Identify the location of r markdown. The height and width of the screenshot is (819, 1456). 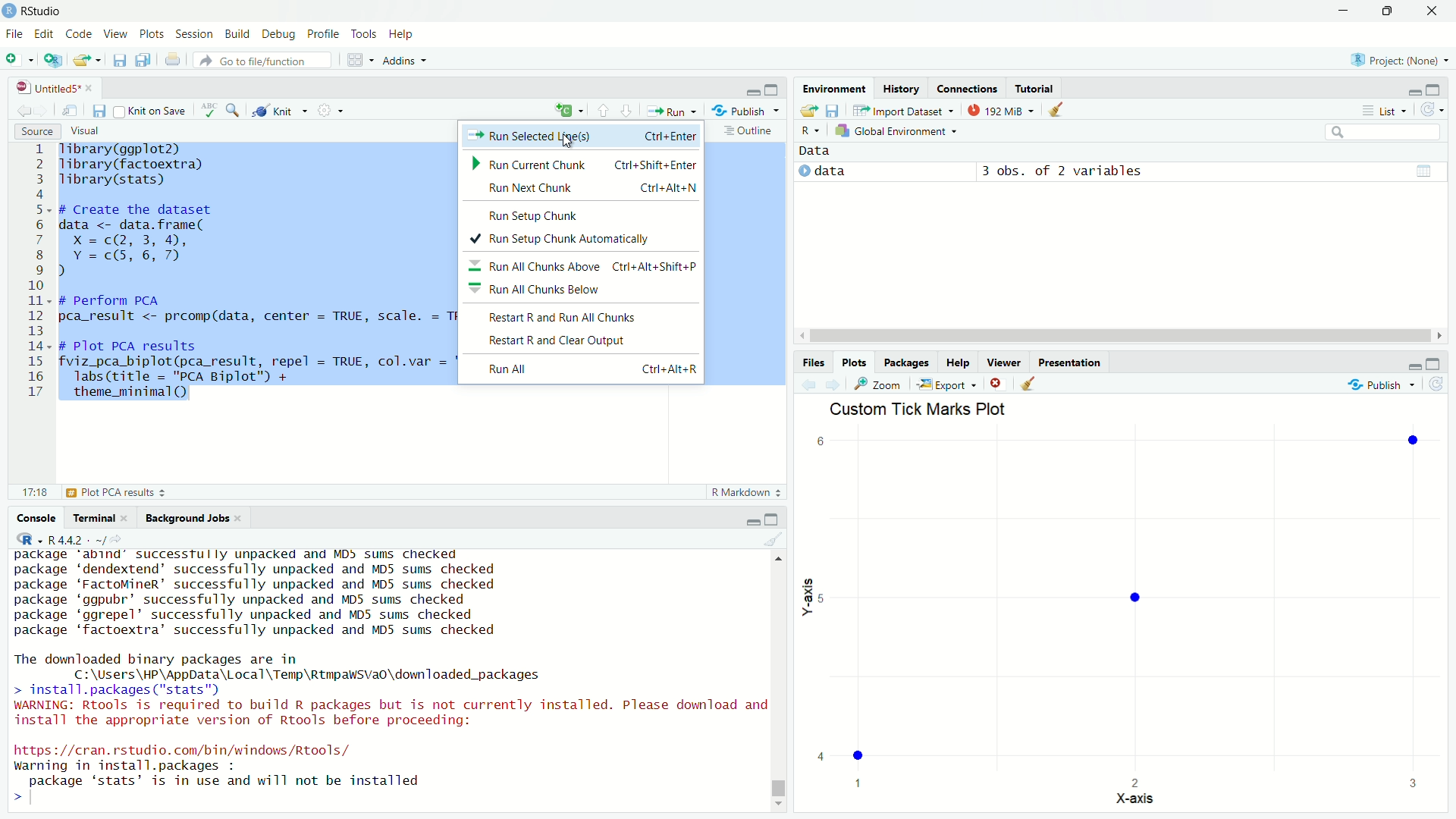
(746, 491).